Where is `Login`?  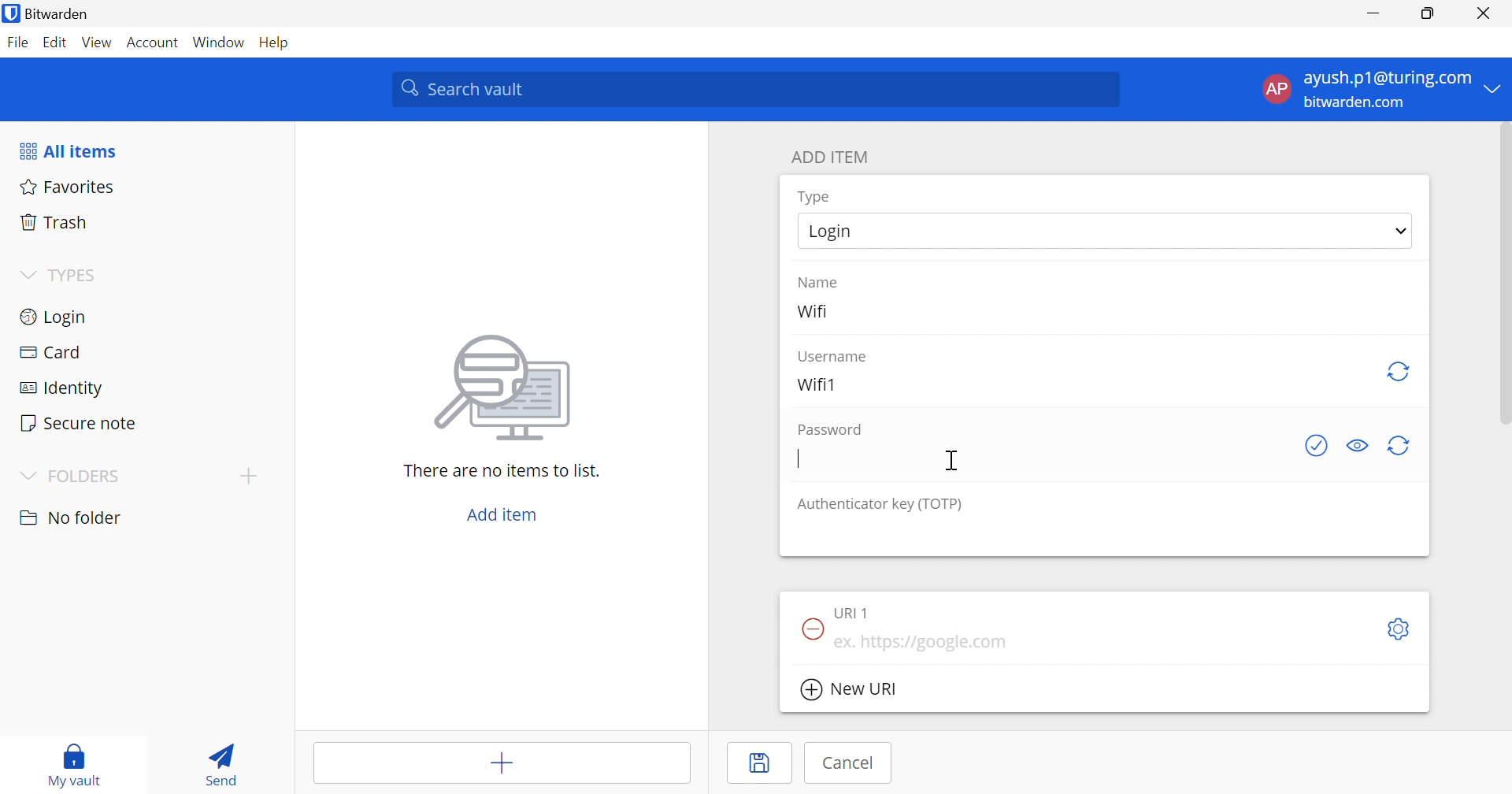
Login is located at coordinates (838, 231).